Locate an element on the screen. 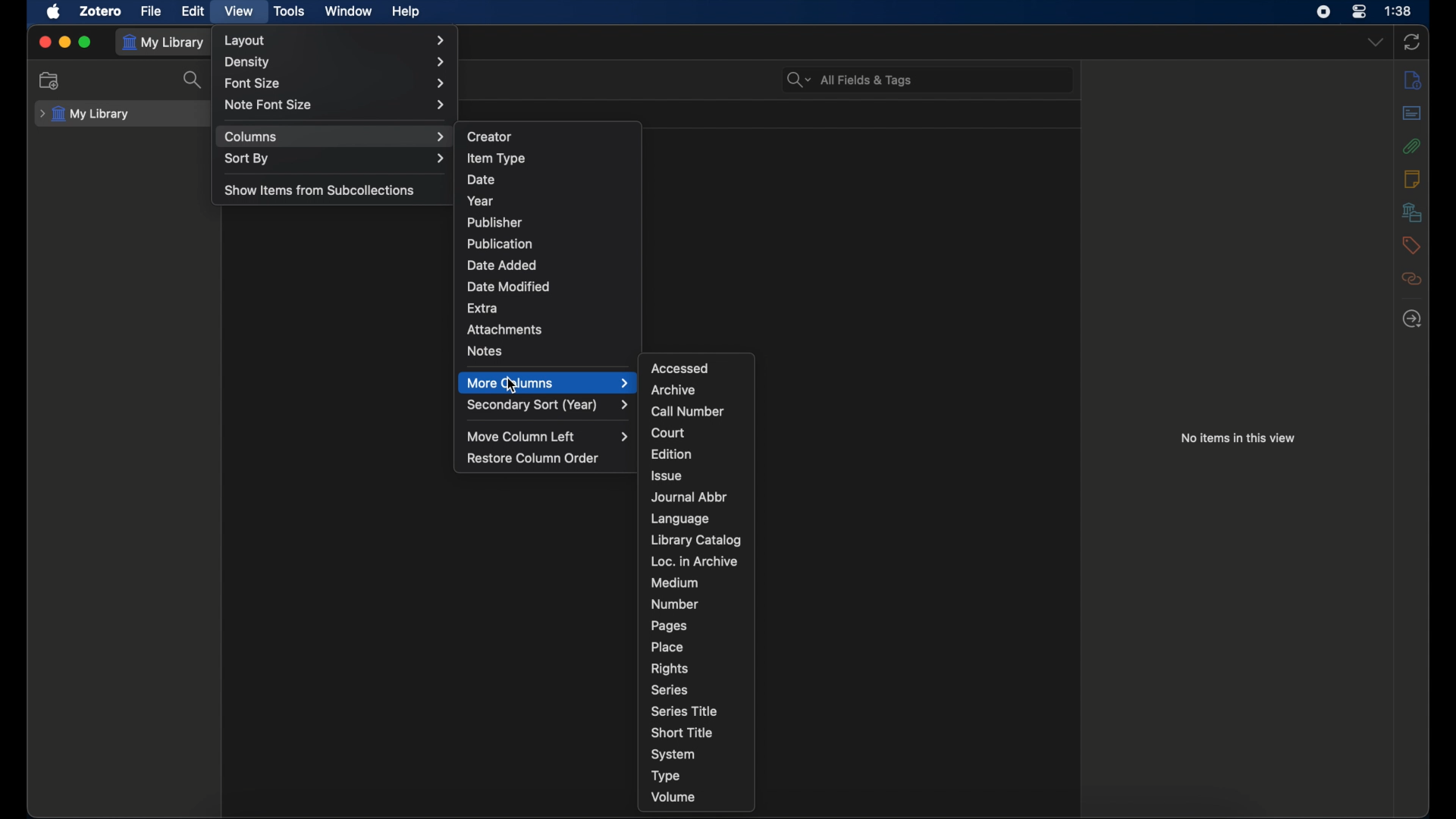 The image size is (1456, 819). library is located at coordinates (1412, 212).